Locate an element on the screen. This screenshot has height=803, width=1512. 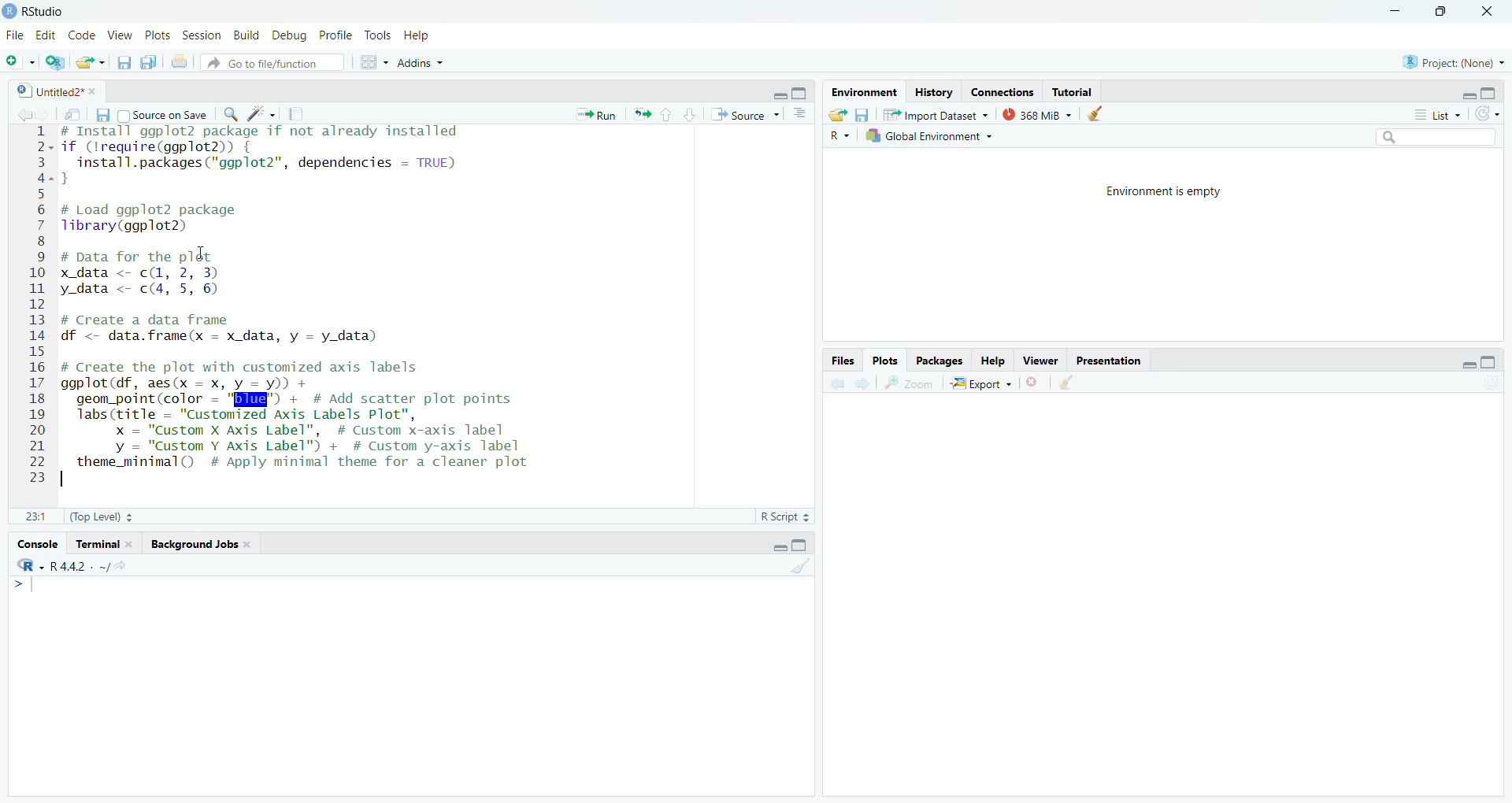
List - is located at coordinates (1435, 115).